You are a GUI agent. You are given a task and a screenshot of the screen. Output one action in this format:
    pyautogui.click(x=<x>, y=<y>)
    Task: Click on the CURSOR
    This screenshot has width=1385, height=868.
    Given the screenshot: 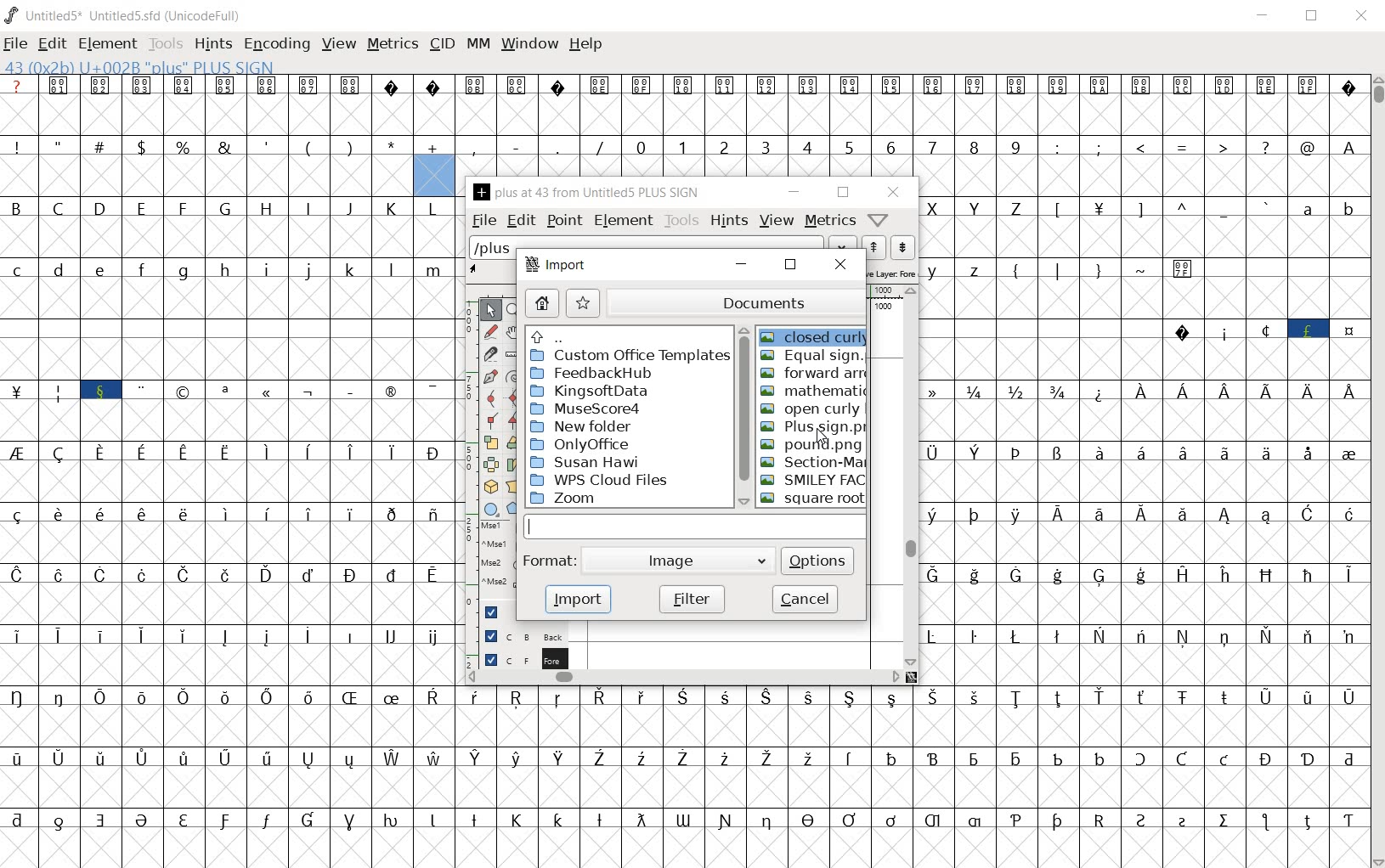 What is the action you would take?
    pyautogui.click(x=823, y=432)
    